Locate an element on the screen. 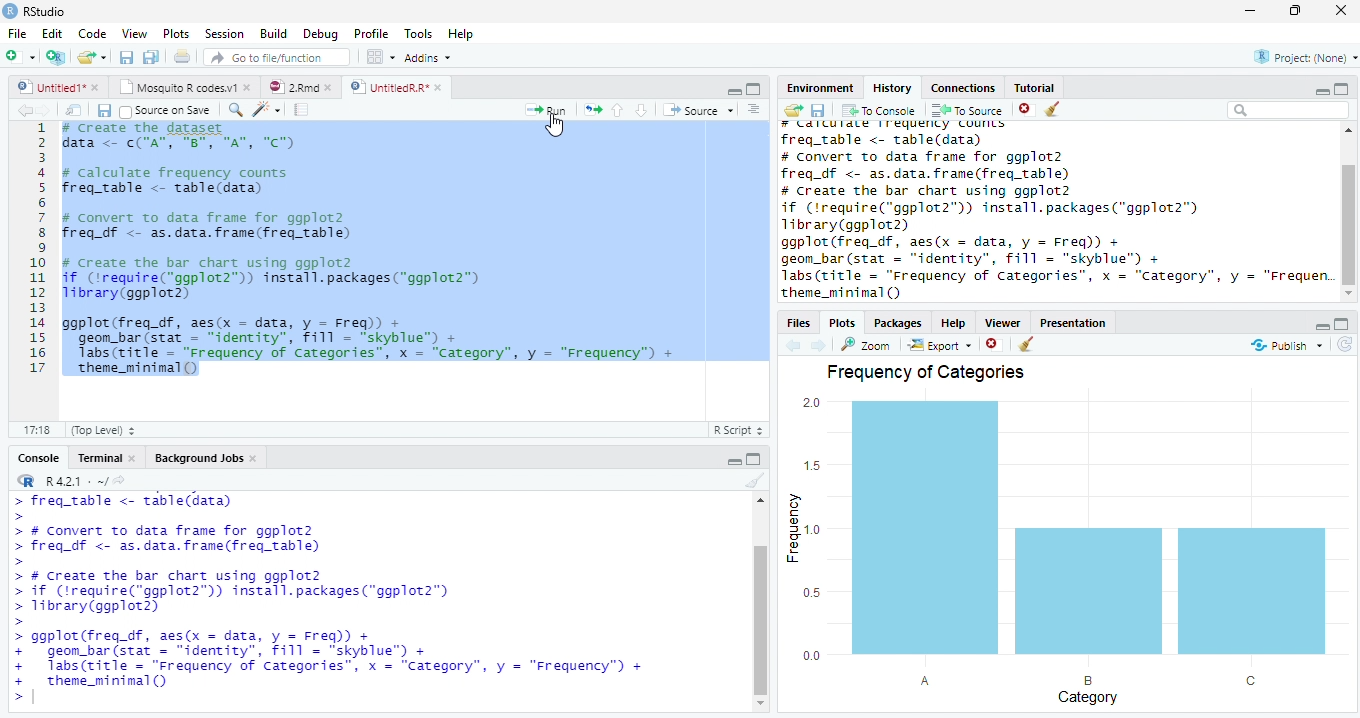  Category is located at coordinates (1083, 689).